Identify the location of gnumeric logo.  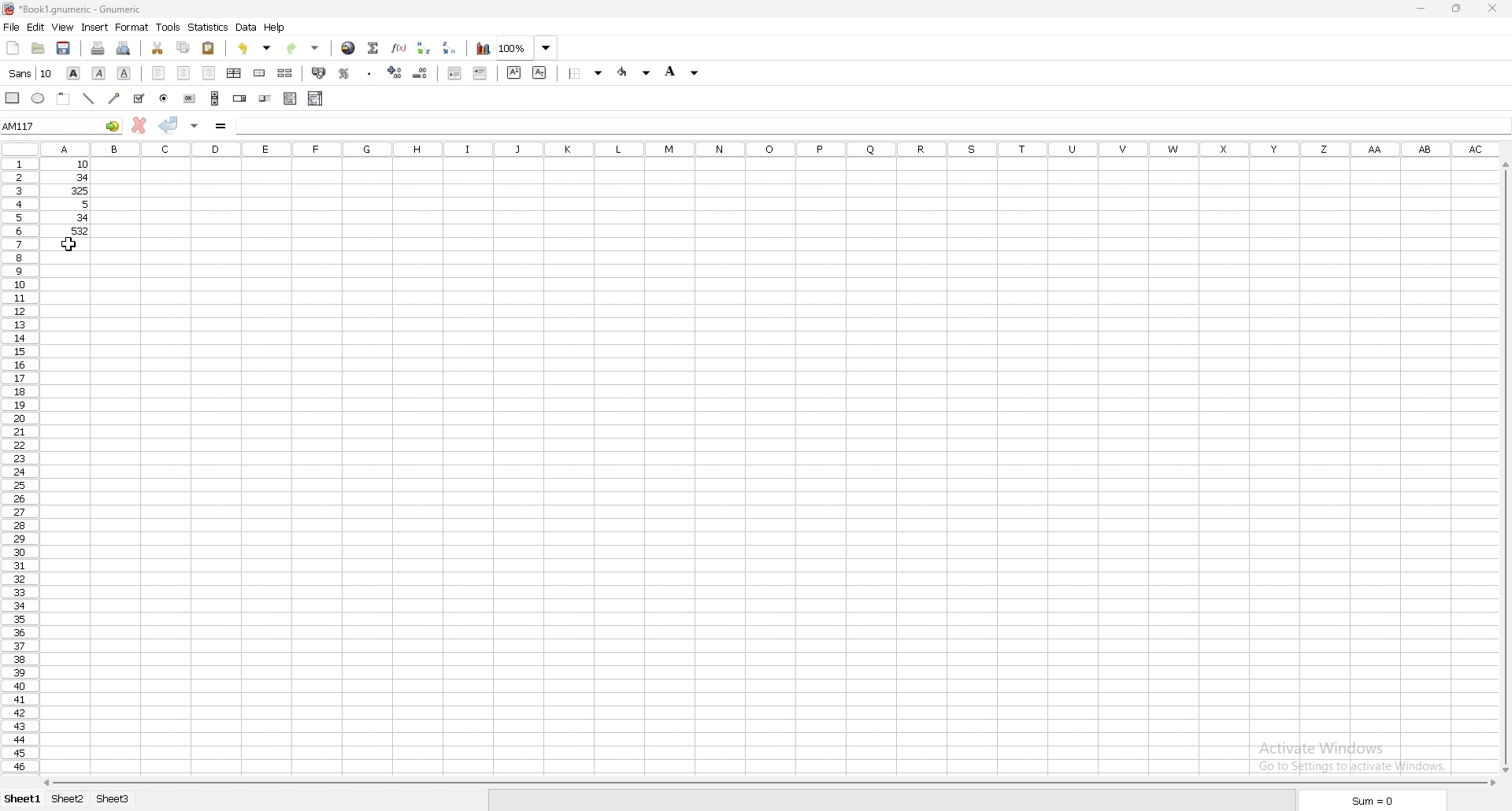
(10, 10).